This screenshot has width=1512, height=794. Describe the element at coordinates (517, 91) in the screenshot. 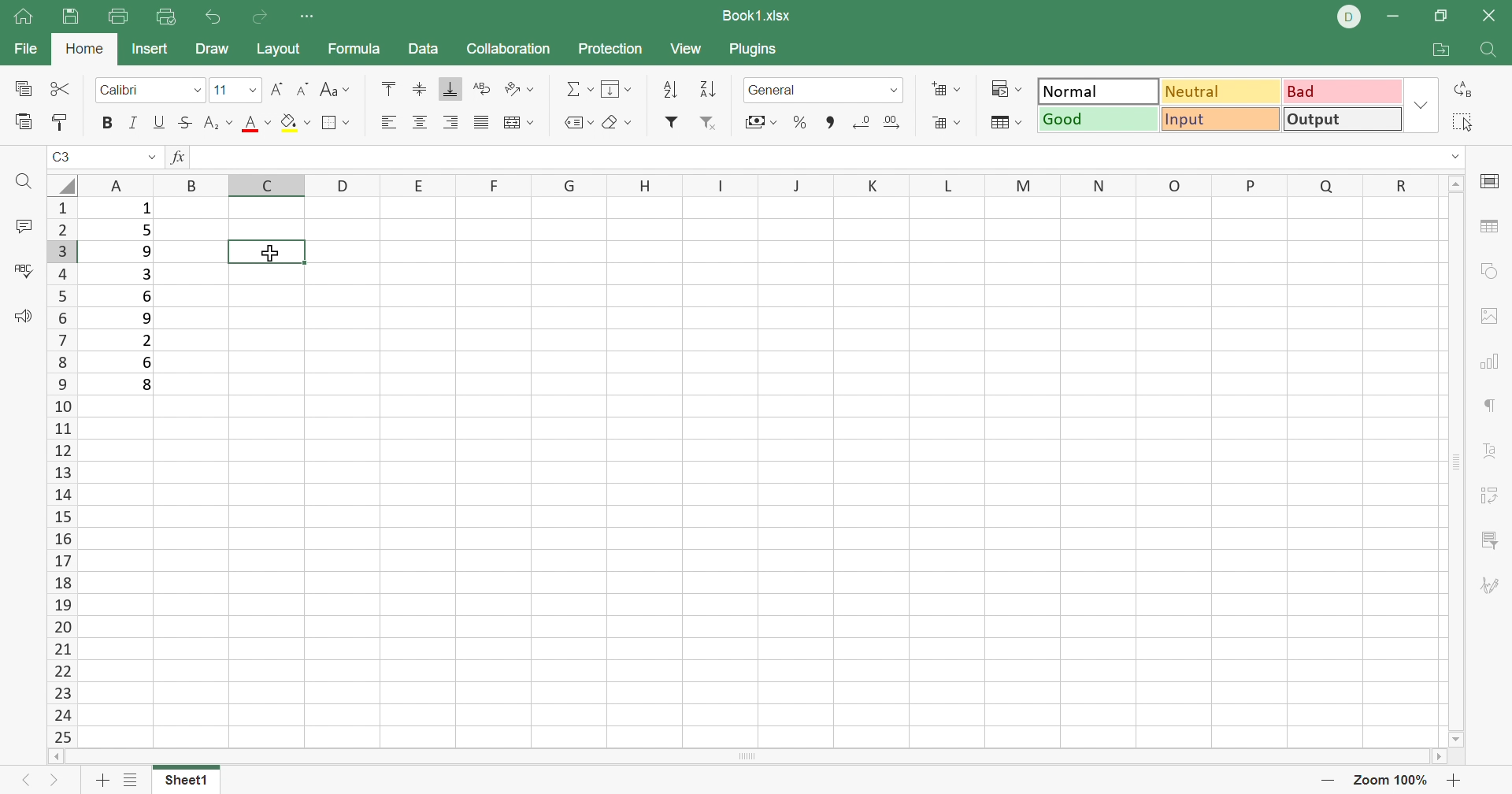

I see `Orientation` at that location.